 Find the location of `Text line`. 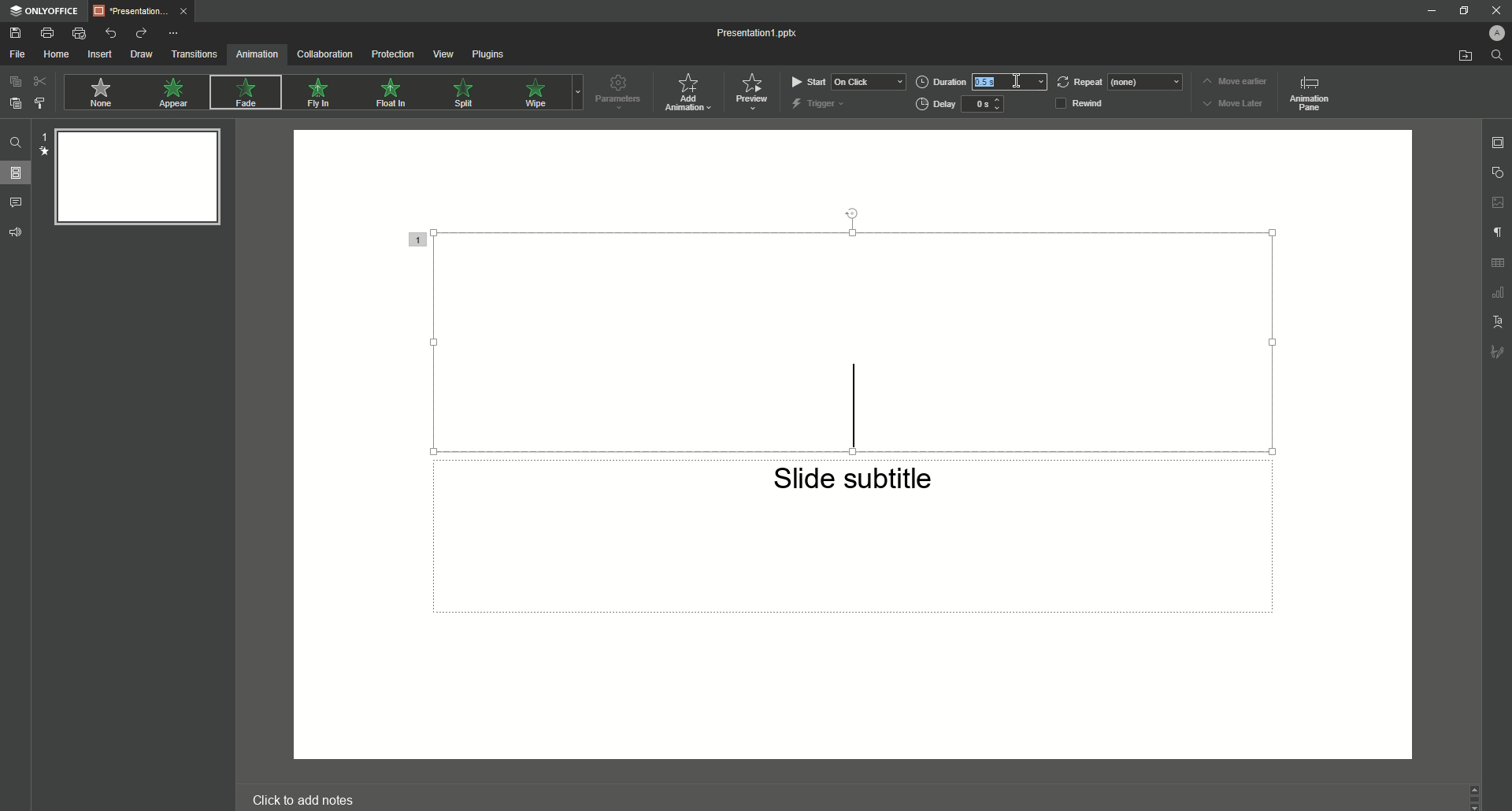

Text line is located at coordinates (853, 411).